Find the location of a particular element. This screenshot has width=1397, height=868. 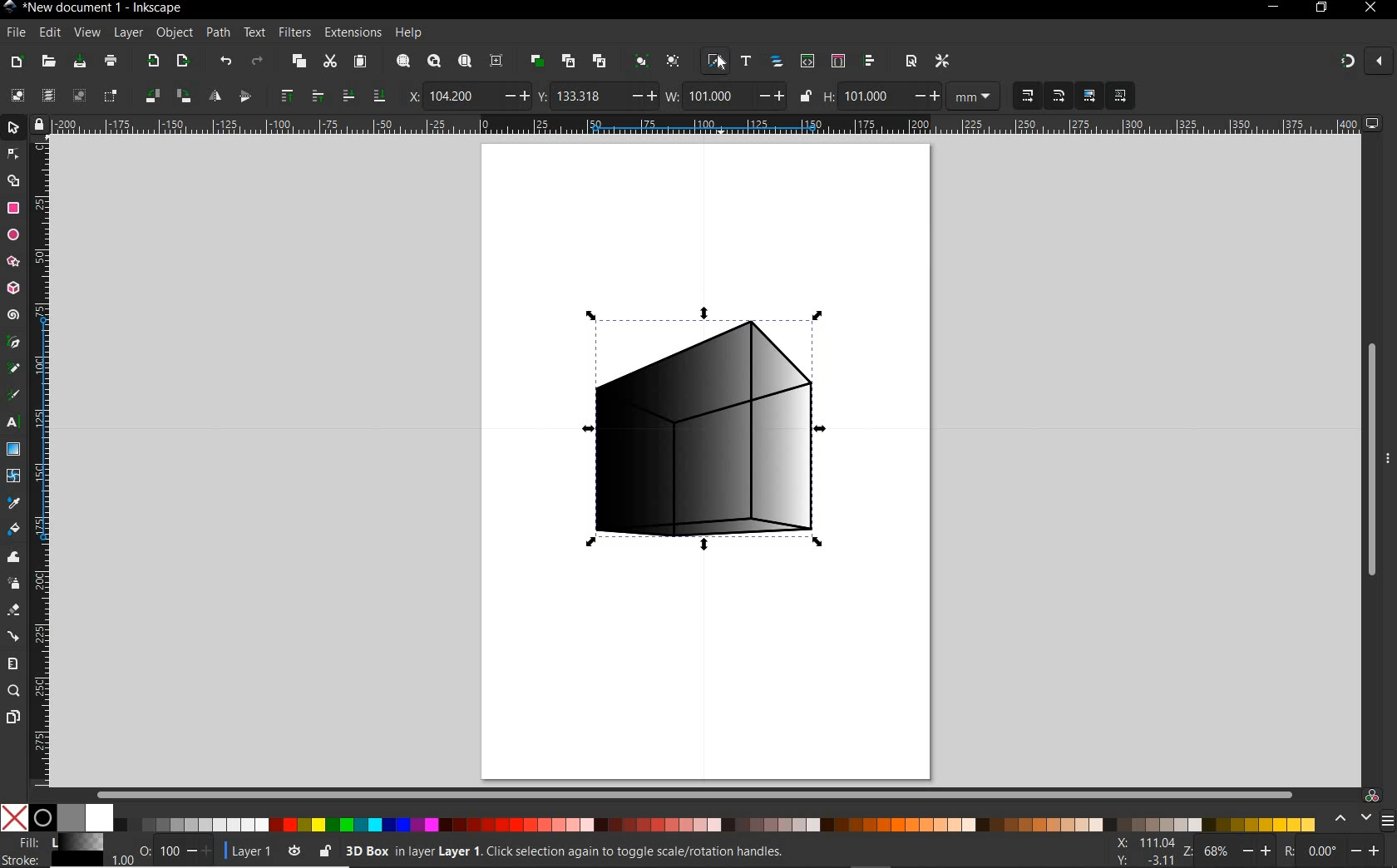

SAVE is located at coordinates (79, 63).